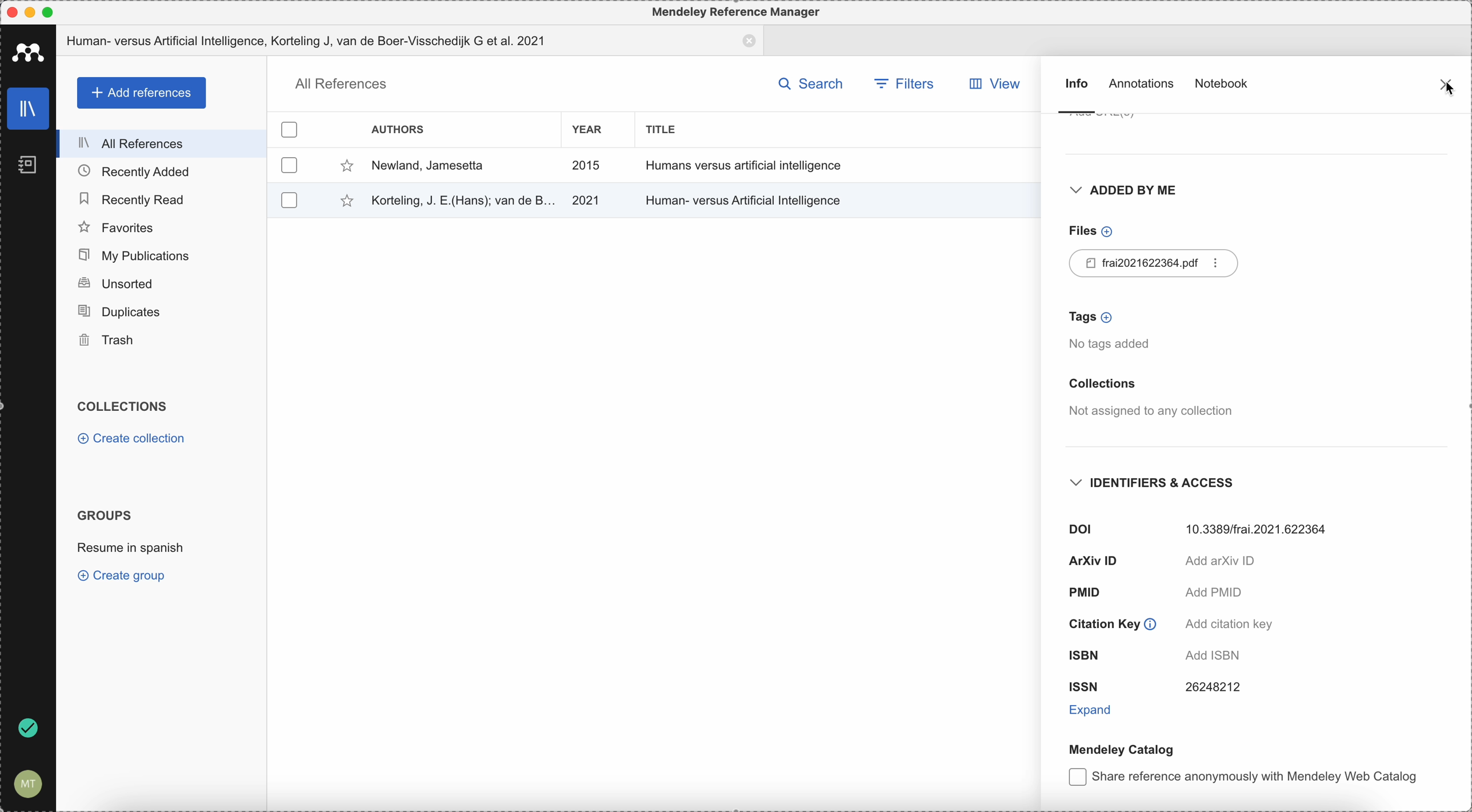 The image size is (1472, 812). What do you see at coordinates (1075, 95) in the screenshot?
I see `info` at bounding box center [1075, 95].